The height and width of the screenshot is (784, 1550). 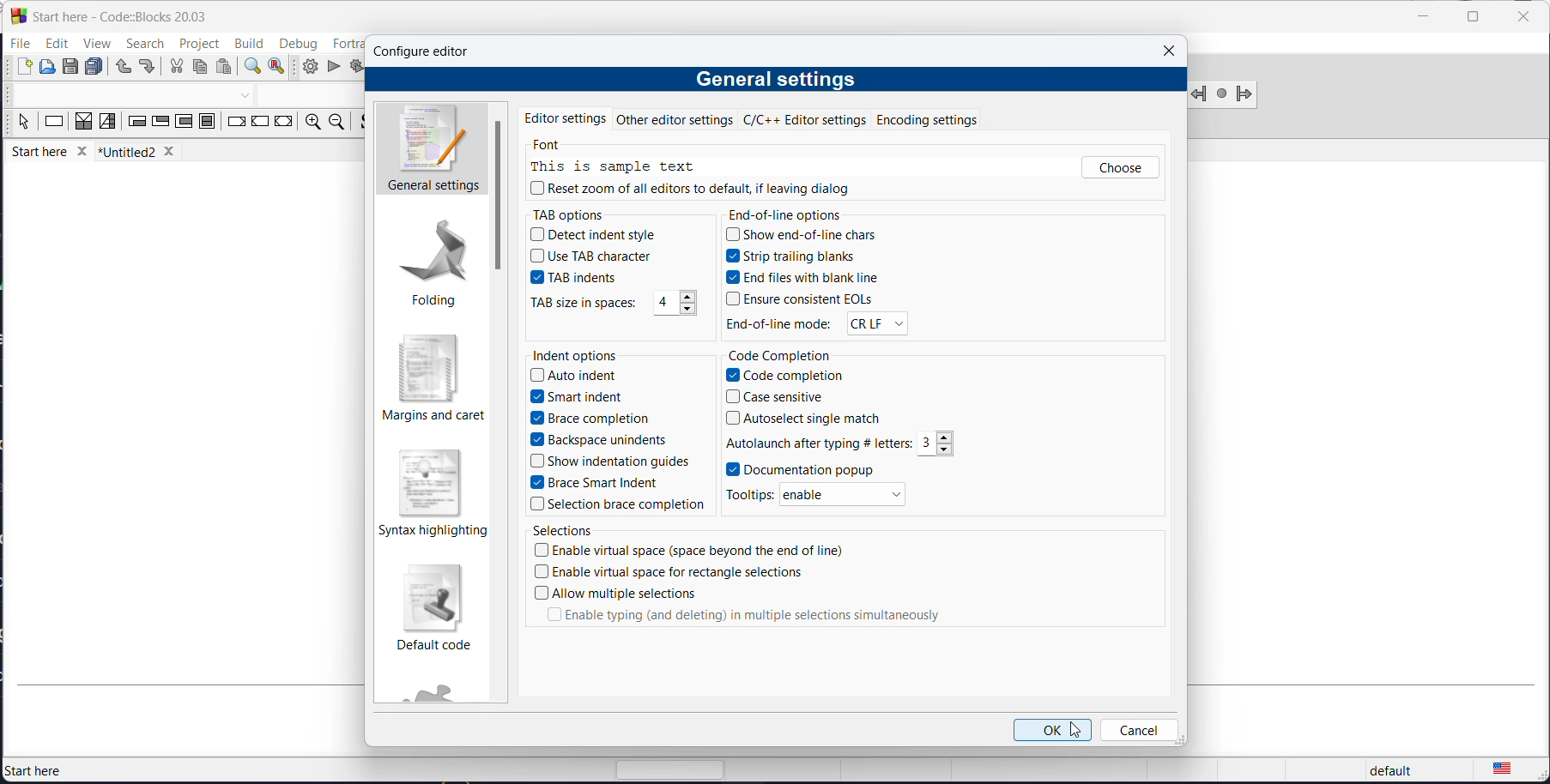 What do you see at coordinates (813, 416) in the screenshot?
I see `autoselect single match` at bounding box center [813, 416].